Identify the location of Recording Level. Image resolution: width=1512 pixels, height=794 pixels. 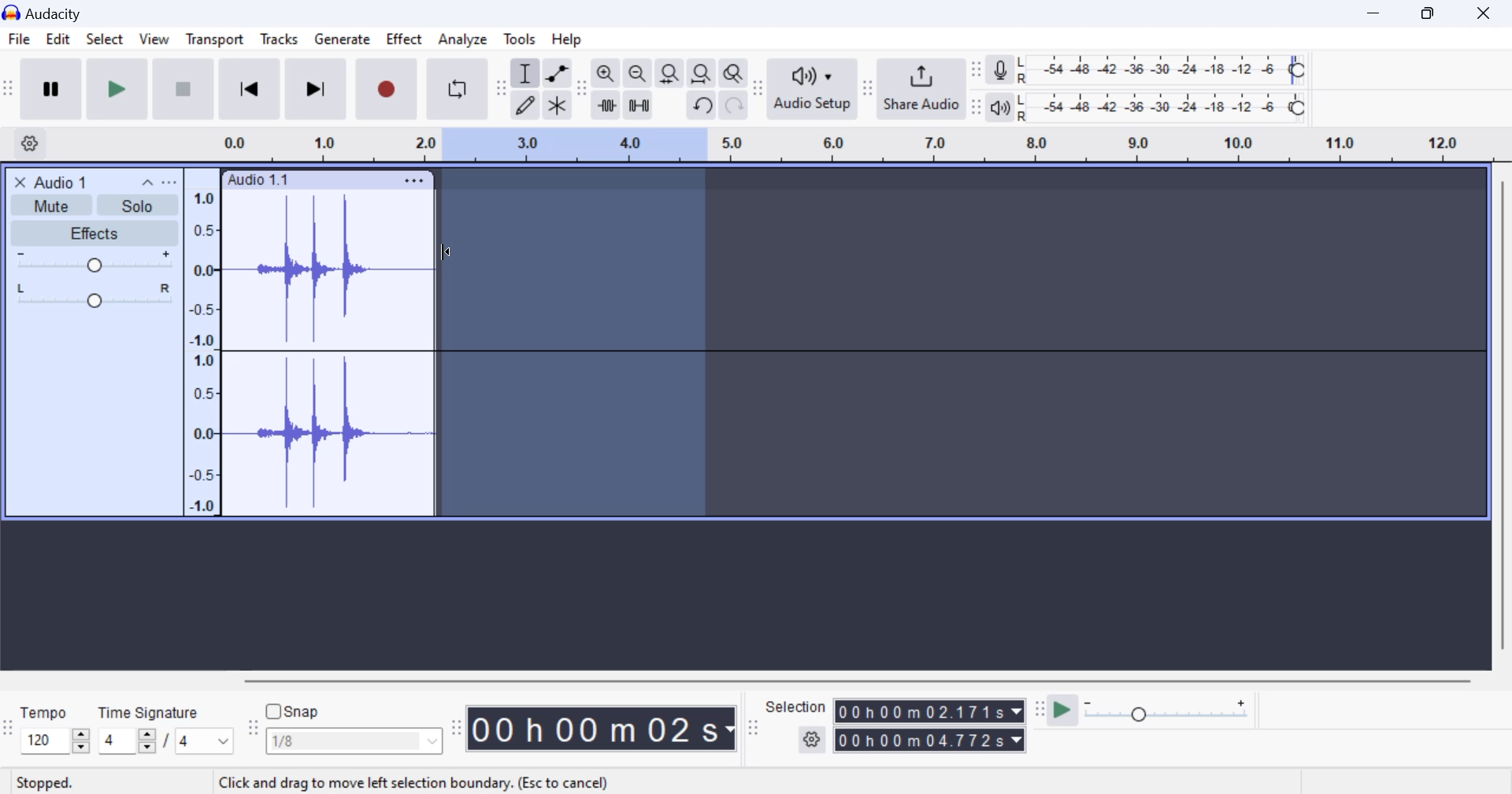
(1162, 70).